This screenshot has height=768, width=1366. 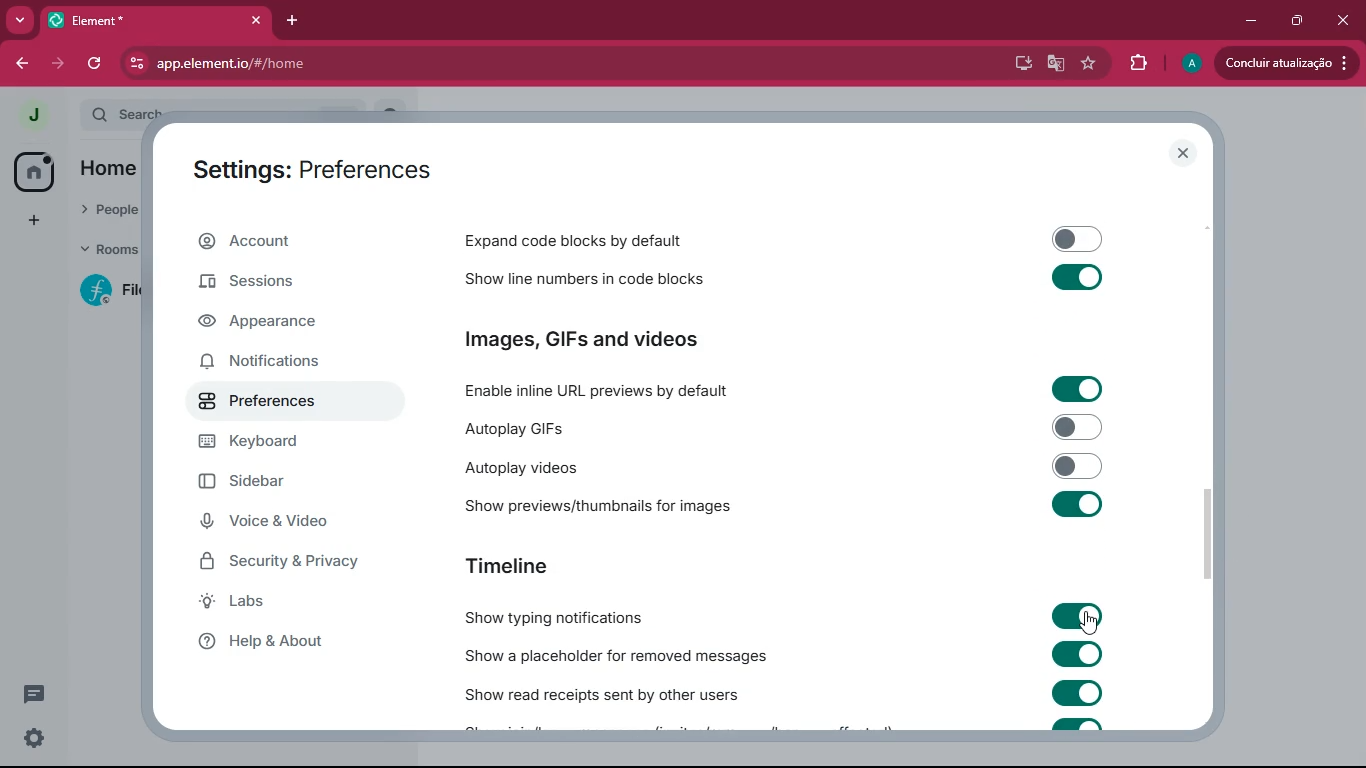 I want to click on sessions, so click(x=272, y=283).